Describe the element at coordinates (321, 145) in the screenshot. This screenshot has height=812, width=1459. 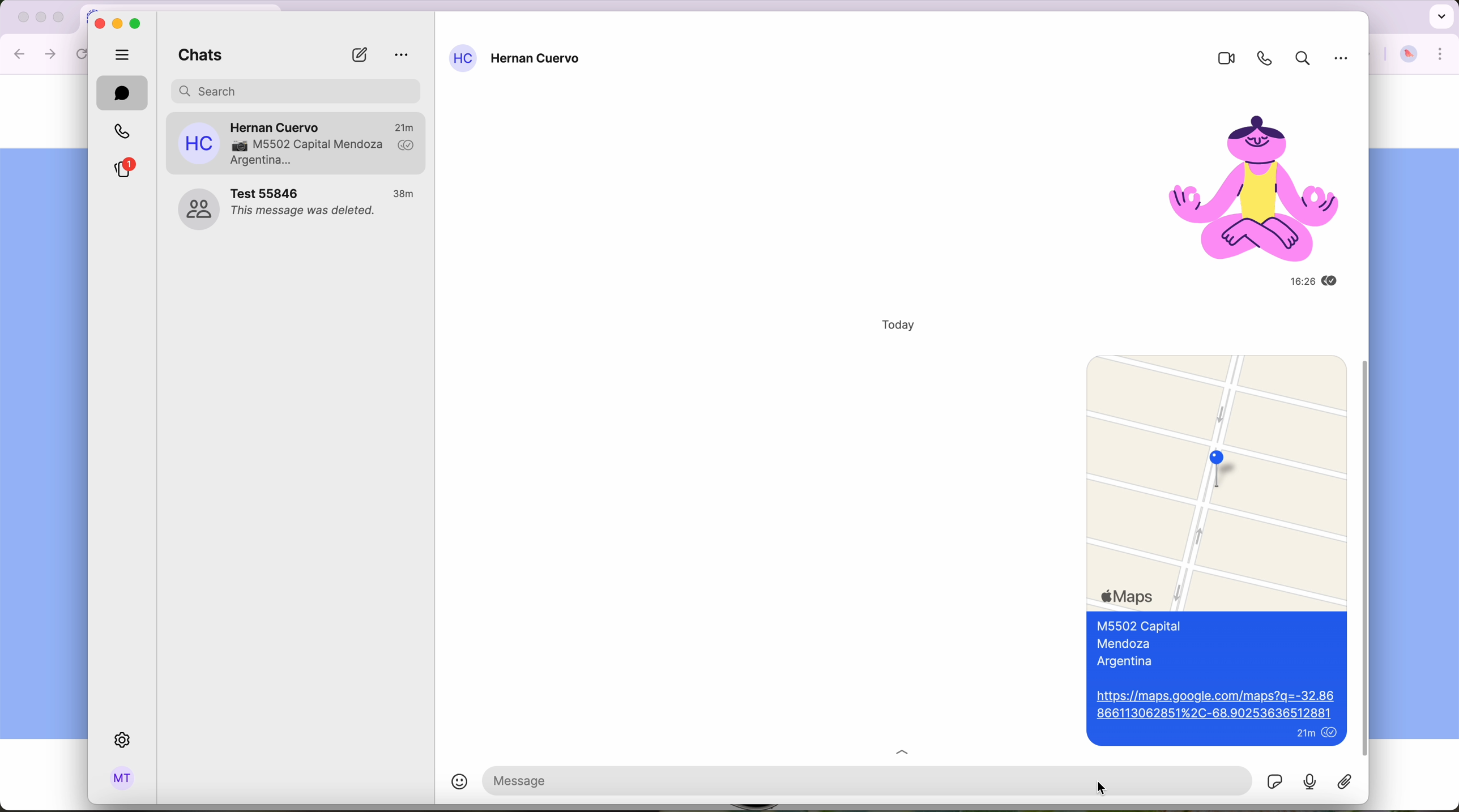
I see `M5502 Capital Mendoza` at that location.